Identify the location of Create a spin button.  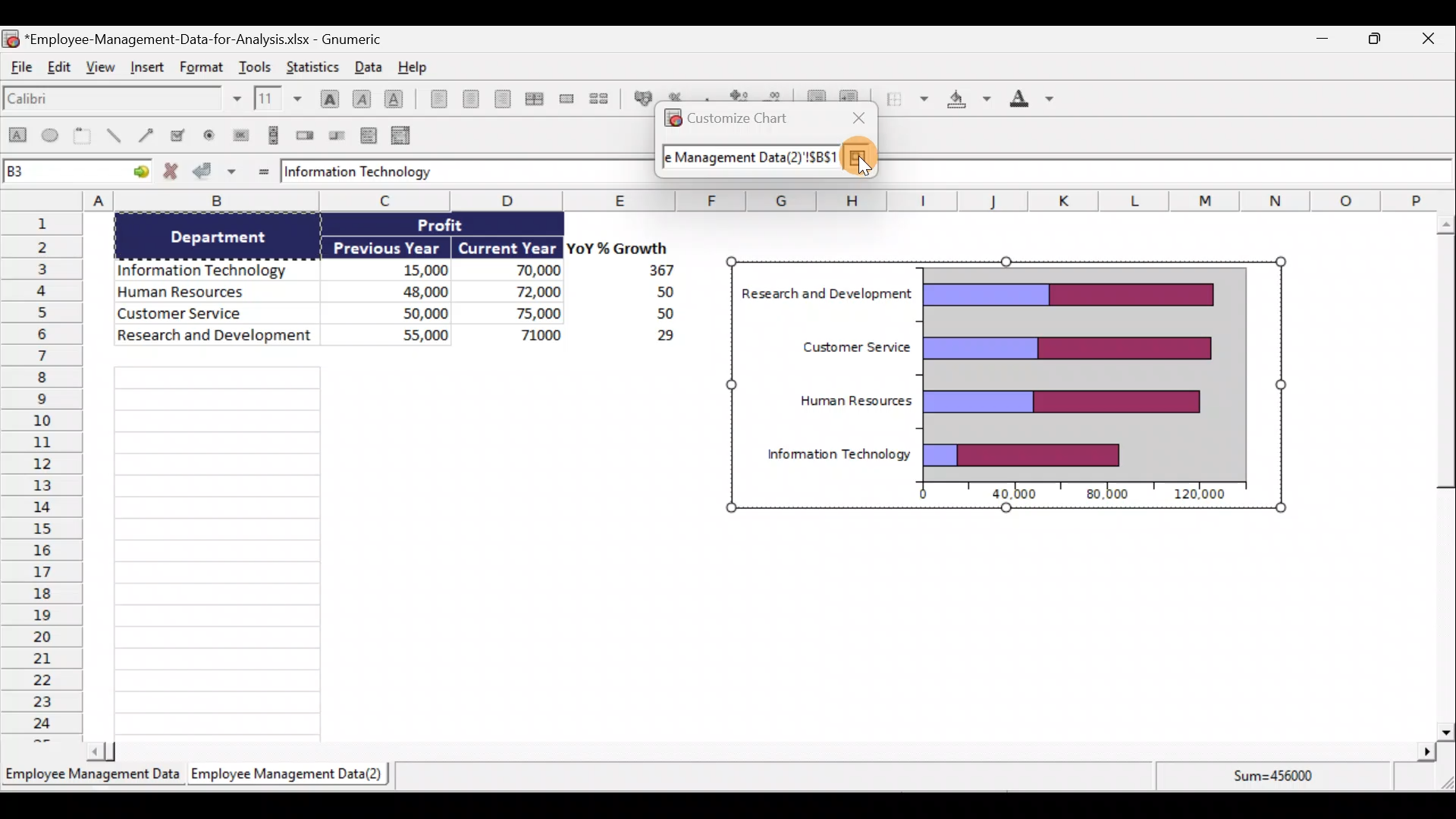
(306, 134).